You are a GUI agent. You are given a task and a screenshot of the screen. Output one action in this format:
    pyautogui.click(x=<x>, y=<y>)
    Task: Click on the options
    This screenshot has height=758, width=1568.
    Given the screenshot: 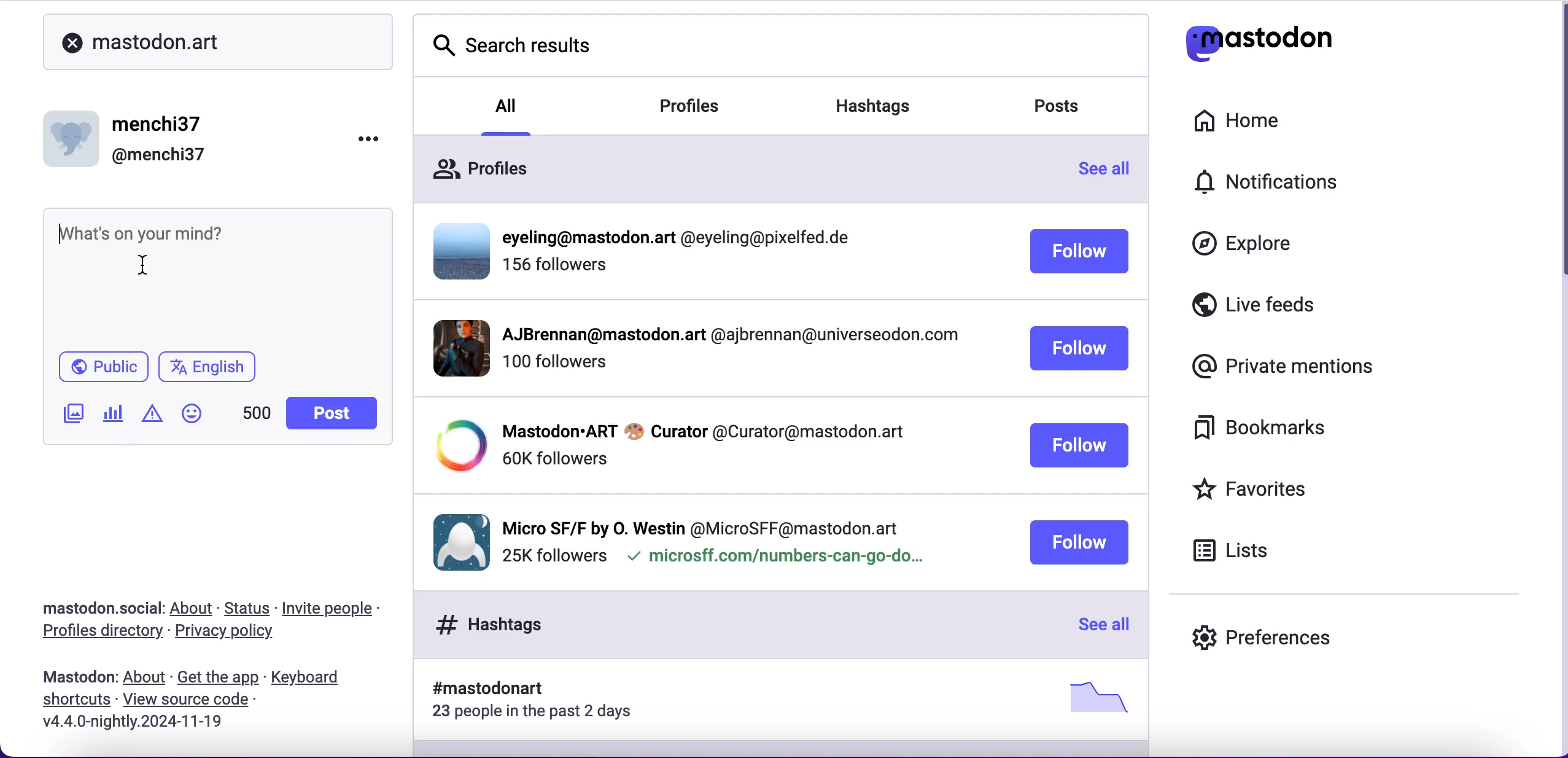 What is the action you would take?
    pyautogui.click(x=359, y=144)
    